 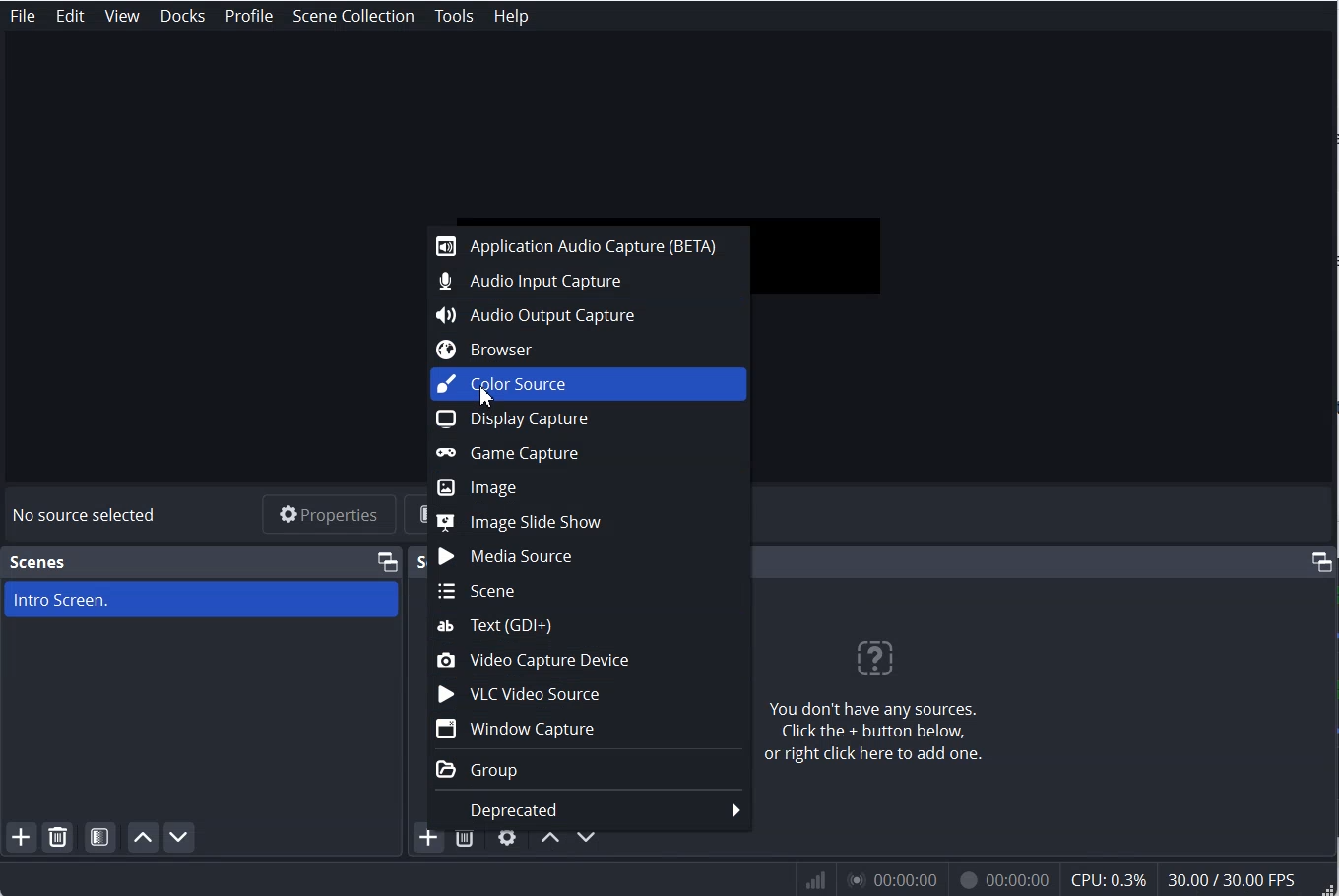 What do you see at coordinates (39, 562) in the screenshot?
I see `Scene` at bounding box center [39, 562].